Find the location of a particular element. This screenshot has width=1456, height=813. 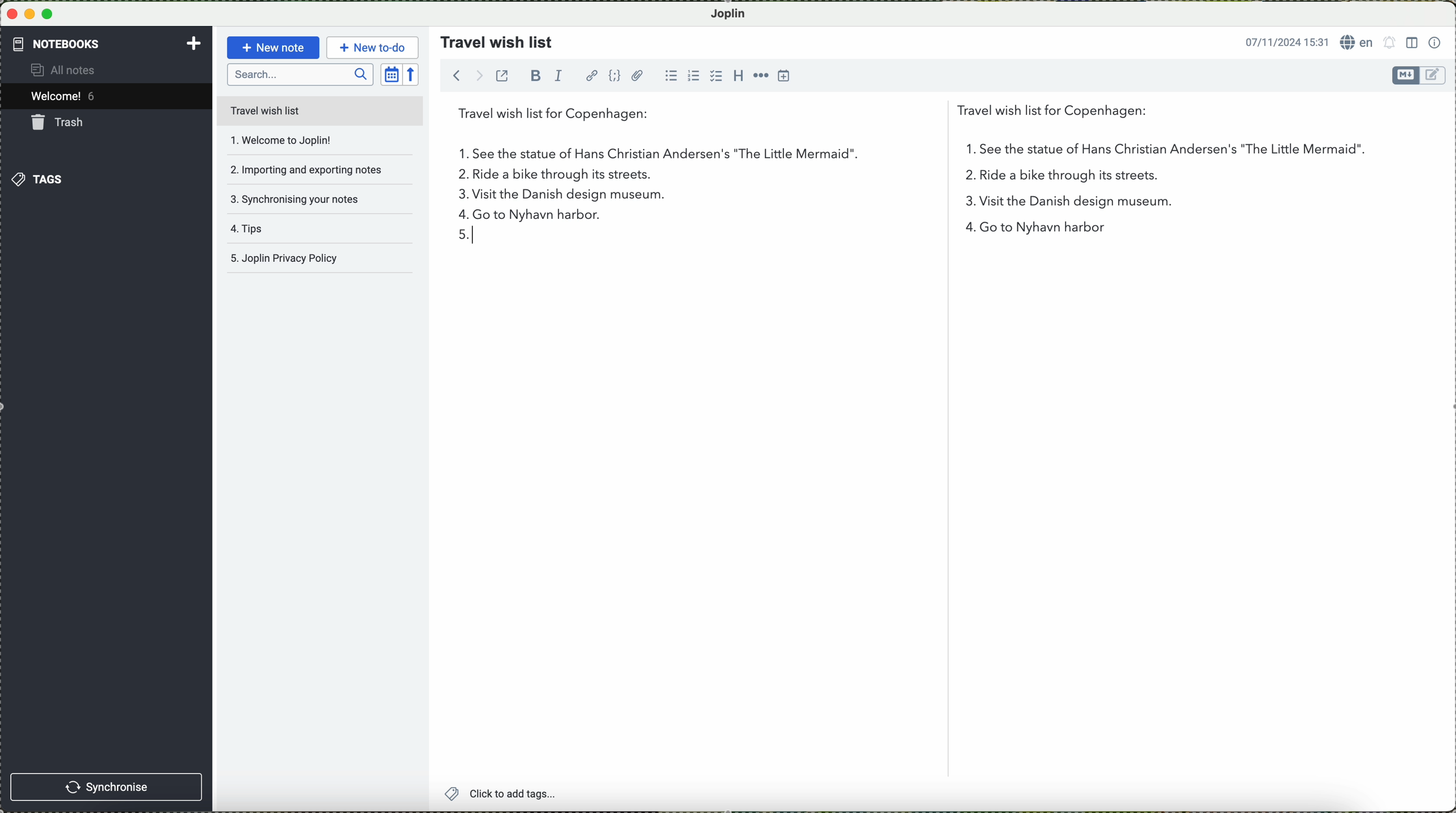

horizontal rule is located at coordinates (760, 75).